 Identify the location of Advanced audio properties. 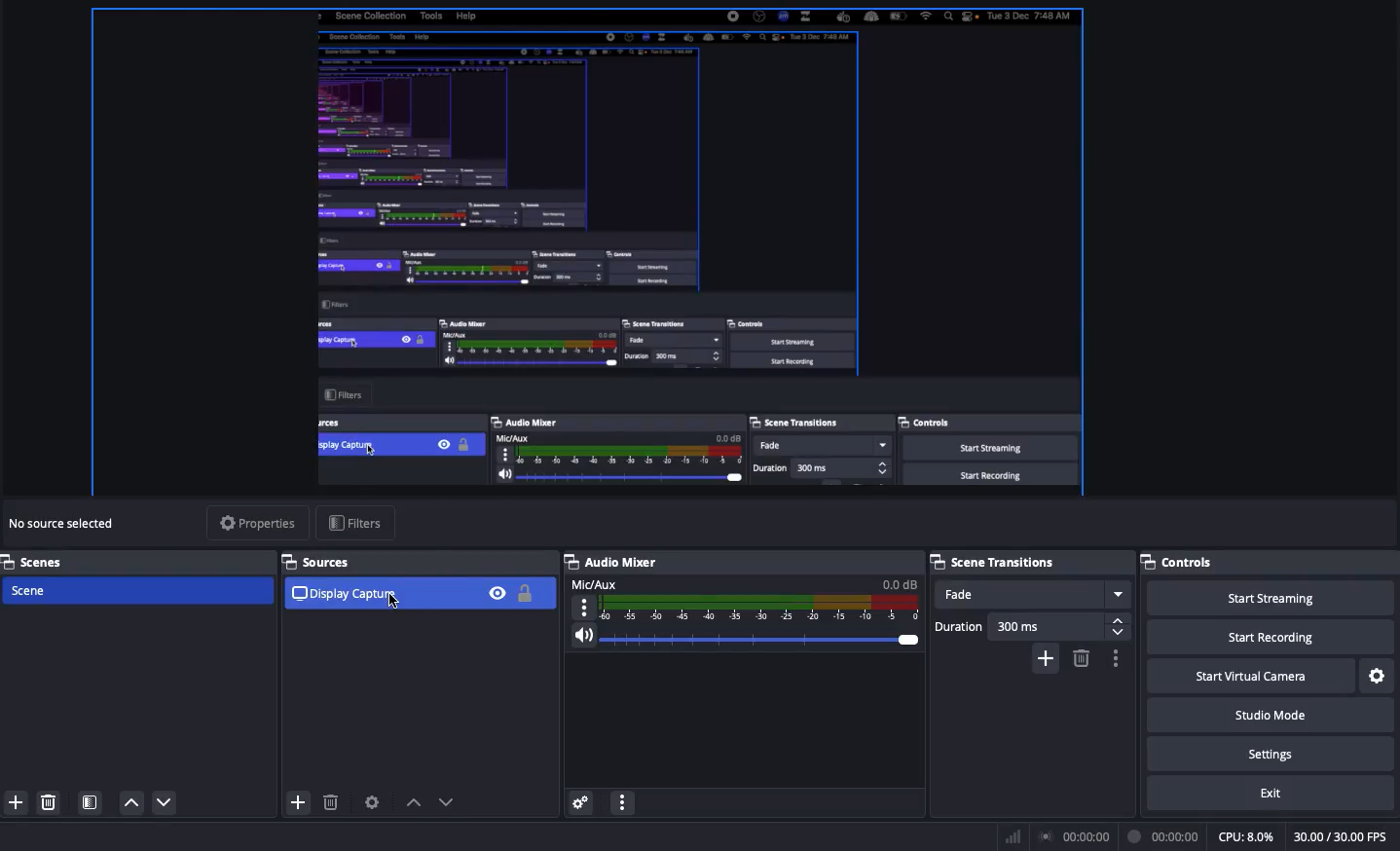
(583, 801).